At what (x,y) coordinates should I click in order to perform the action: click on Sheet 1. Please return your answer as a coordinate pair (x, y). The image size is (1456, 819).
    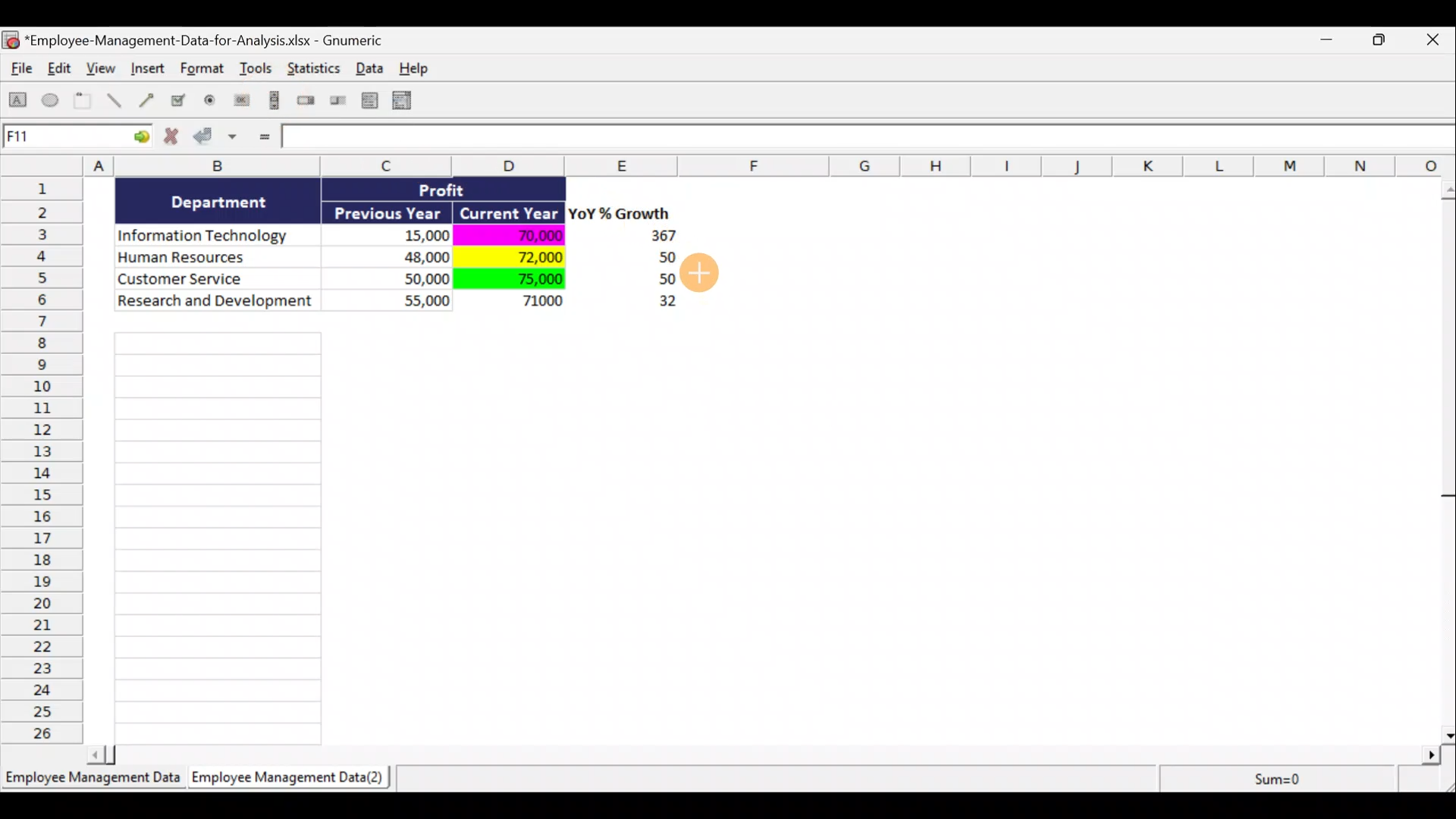
    Looking at the image, I should click on (95, 783).